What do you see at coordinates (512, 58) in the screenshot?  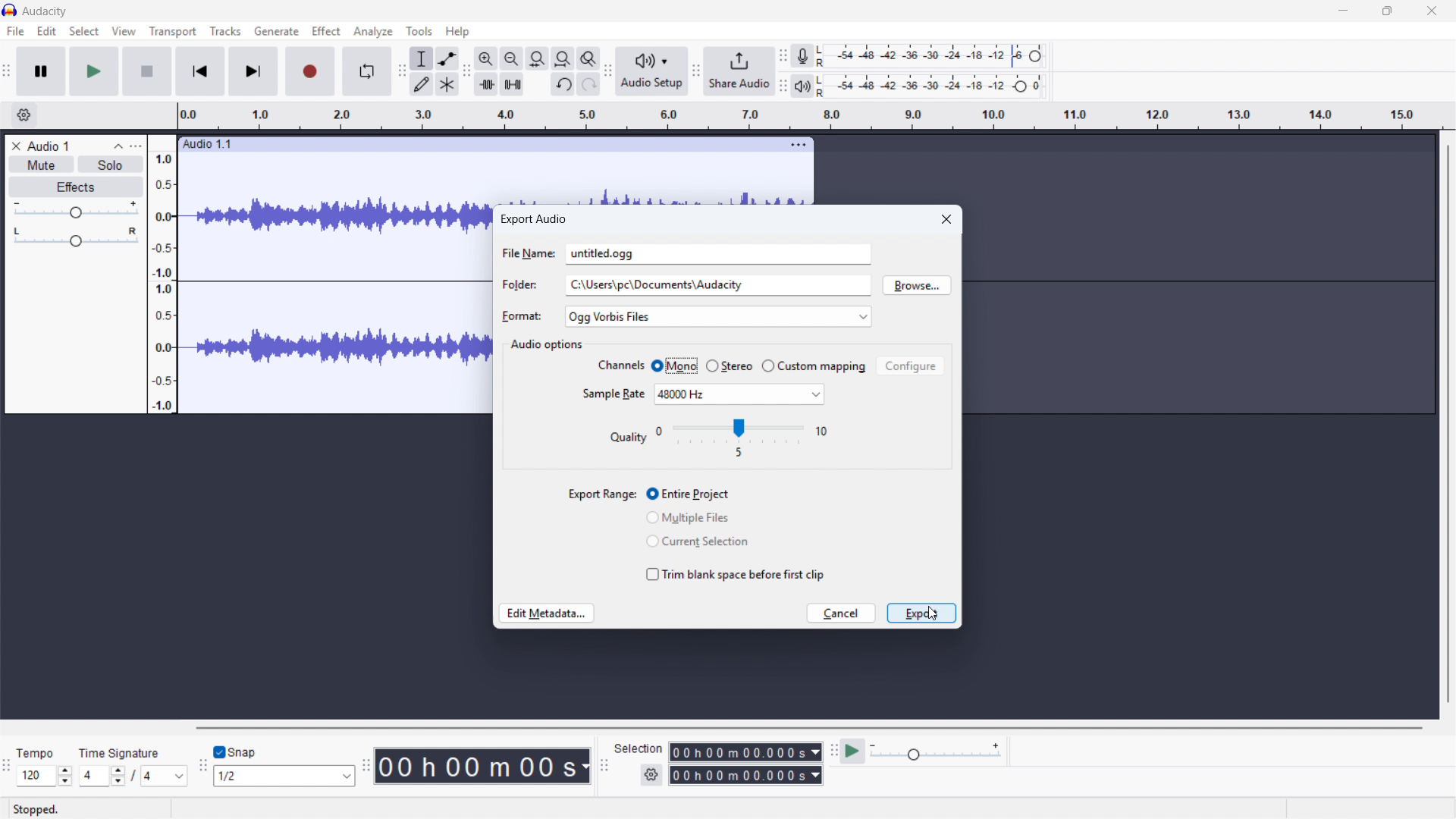 I see `Zoom out ` at bounding box center [512, 58].